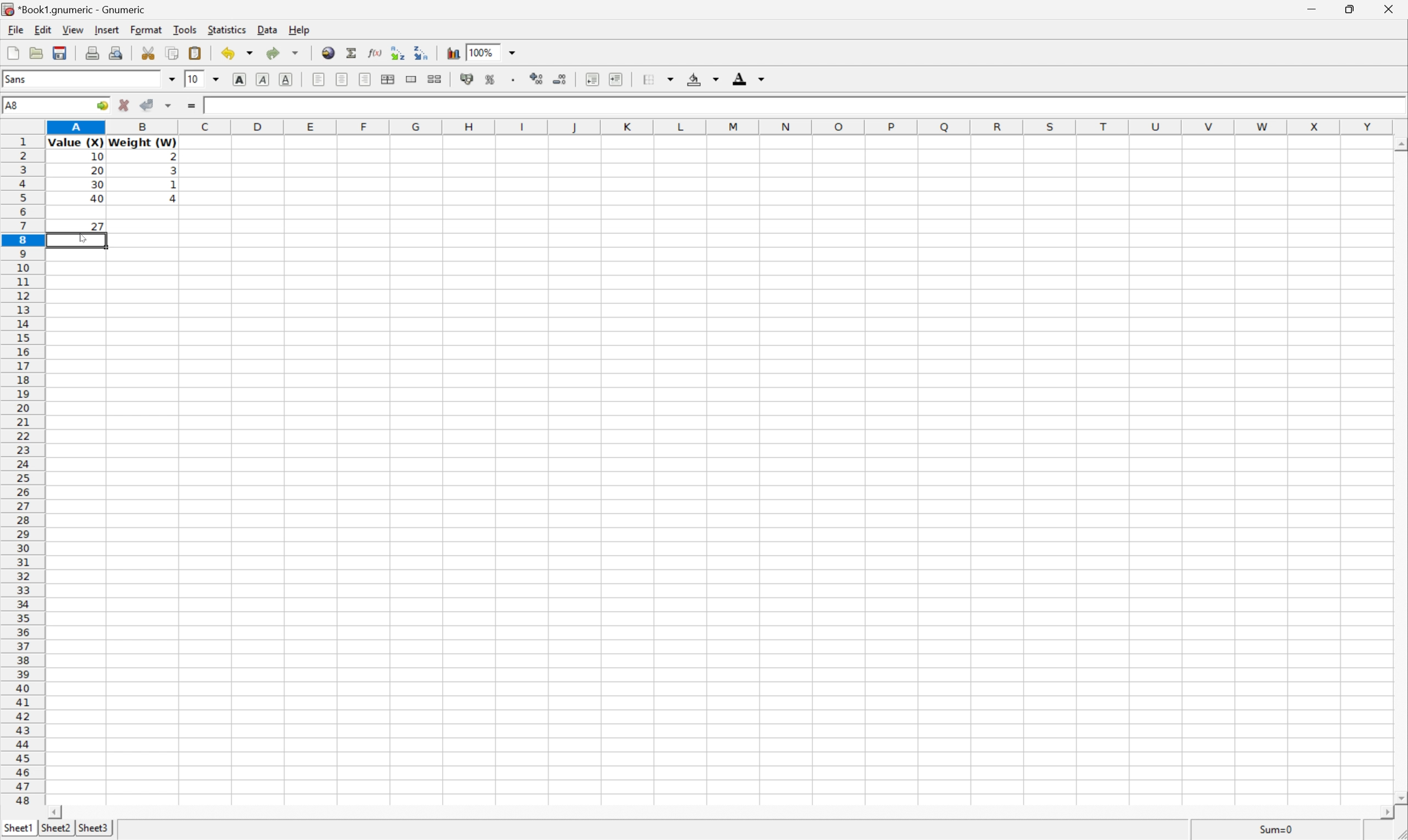  Describe the element at coordinates (422, 53) in the screenshot. I see `Sort the selected region in descending order based on the first column selected` at that location.